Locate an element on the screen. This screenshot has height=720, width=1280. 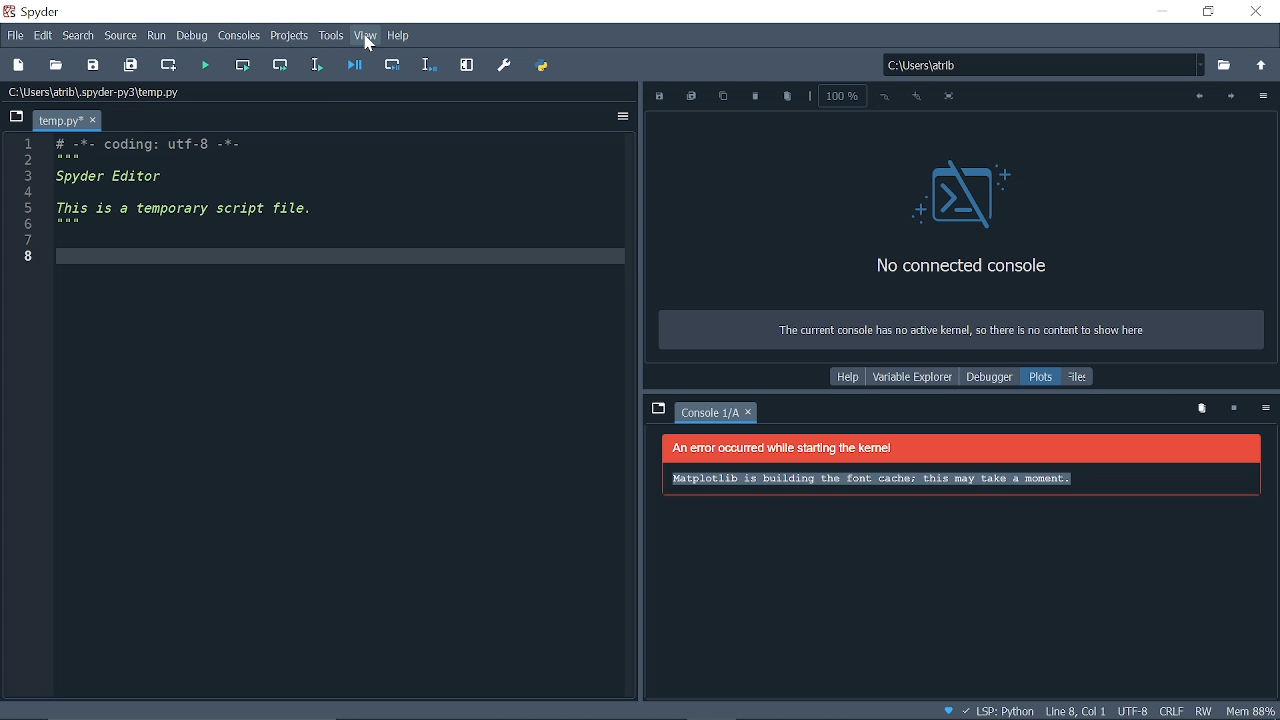
Remove all plots is located at coordinates (787, 98).